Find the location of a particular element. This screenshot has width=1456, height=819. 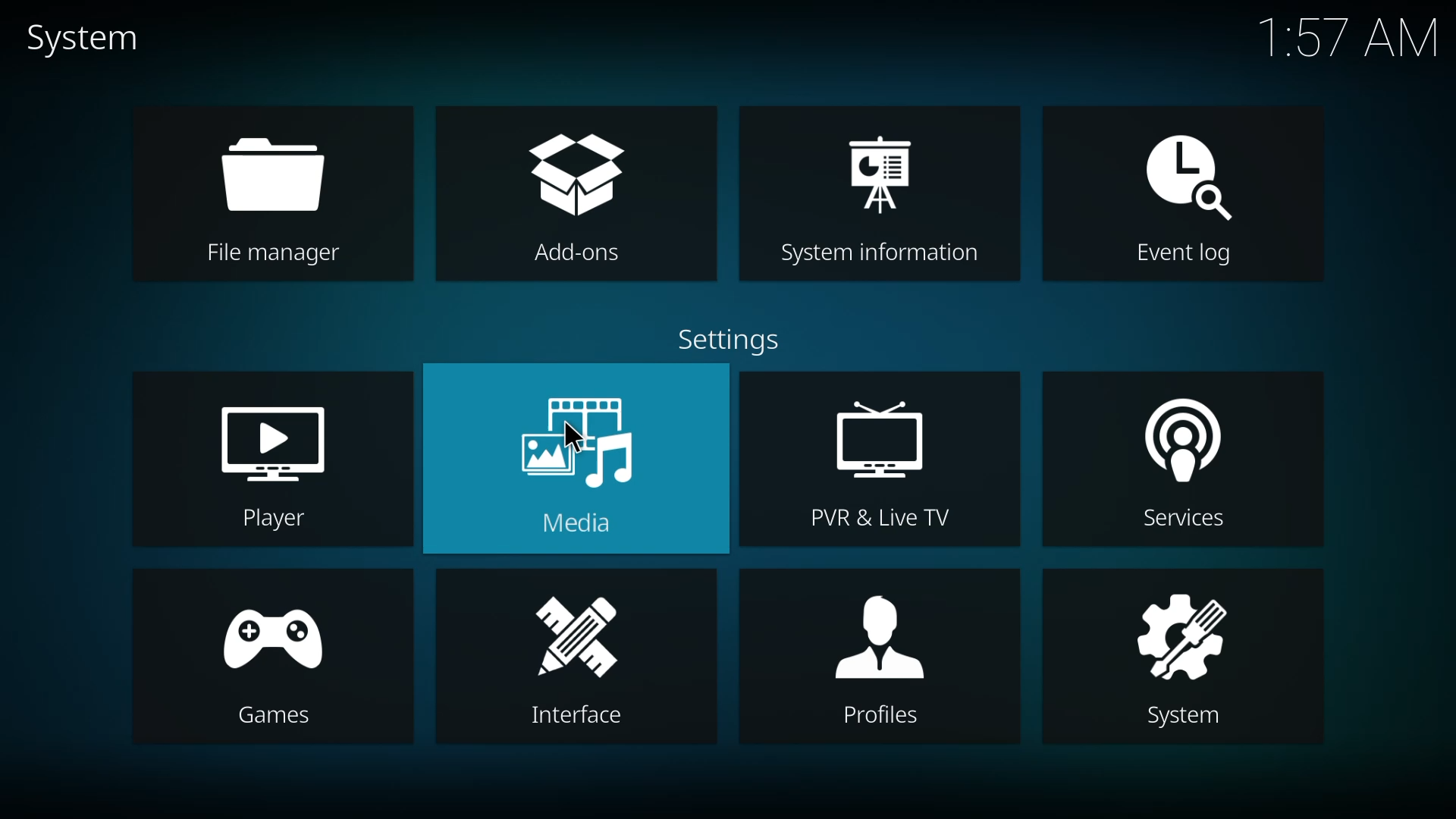

event log is located at coordinates (1181, 201).